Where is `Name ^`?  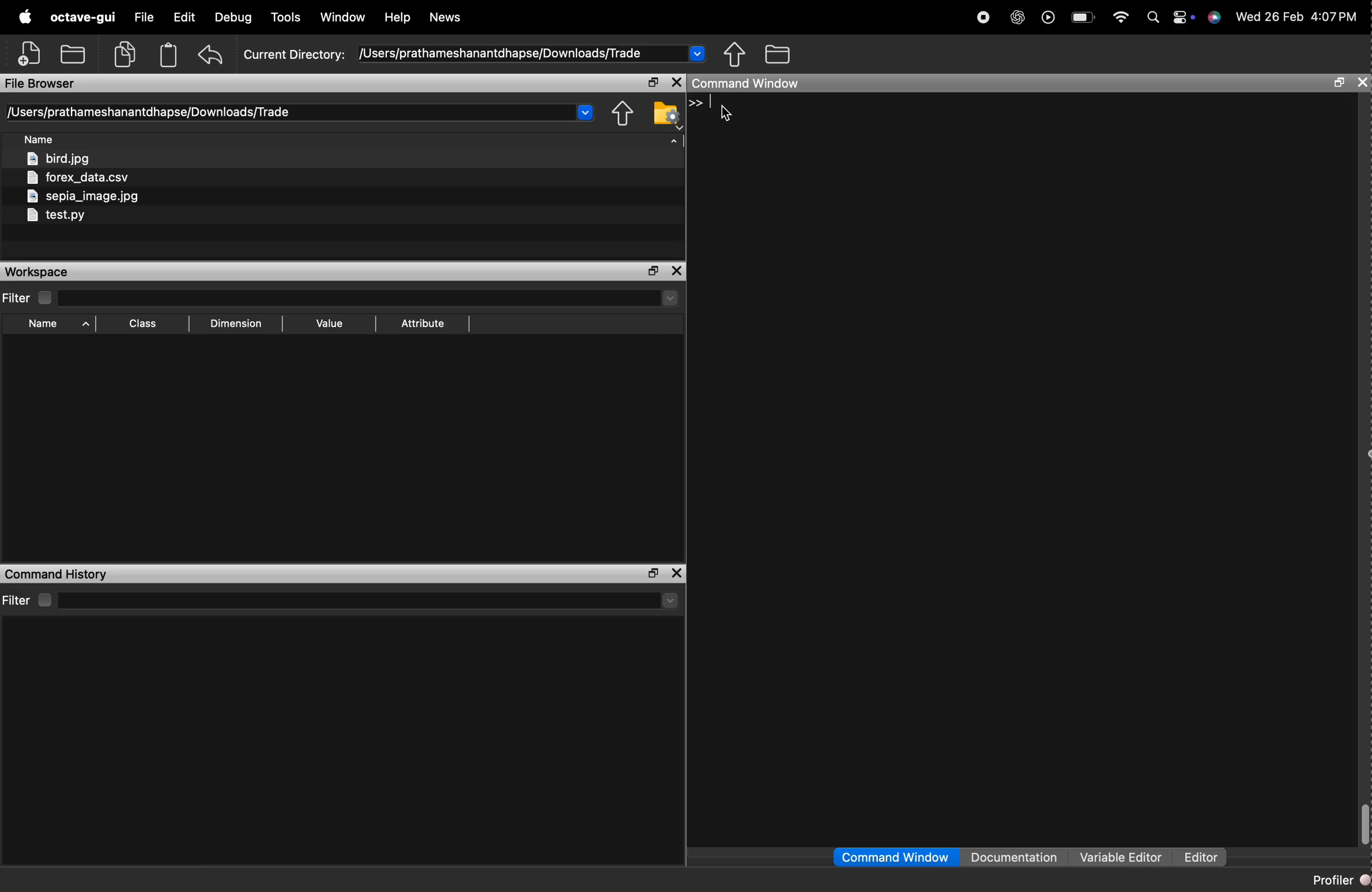
Name ^ is located at coordinates (61, 324).